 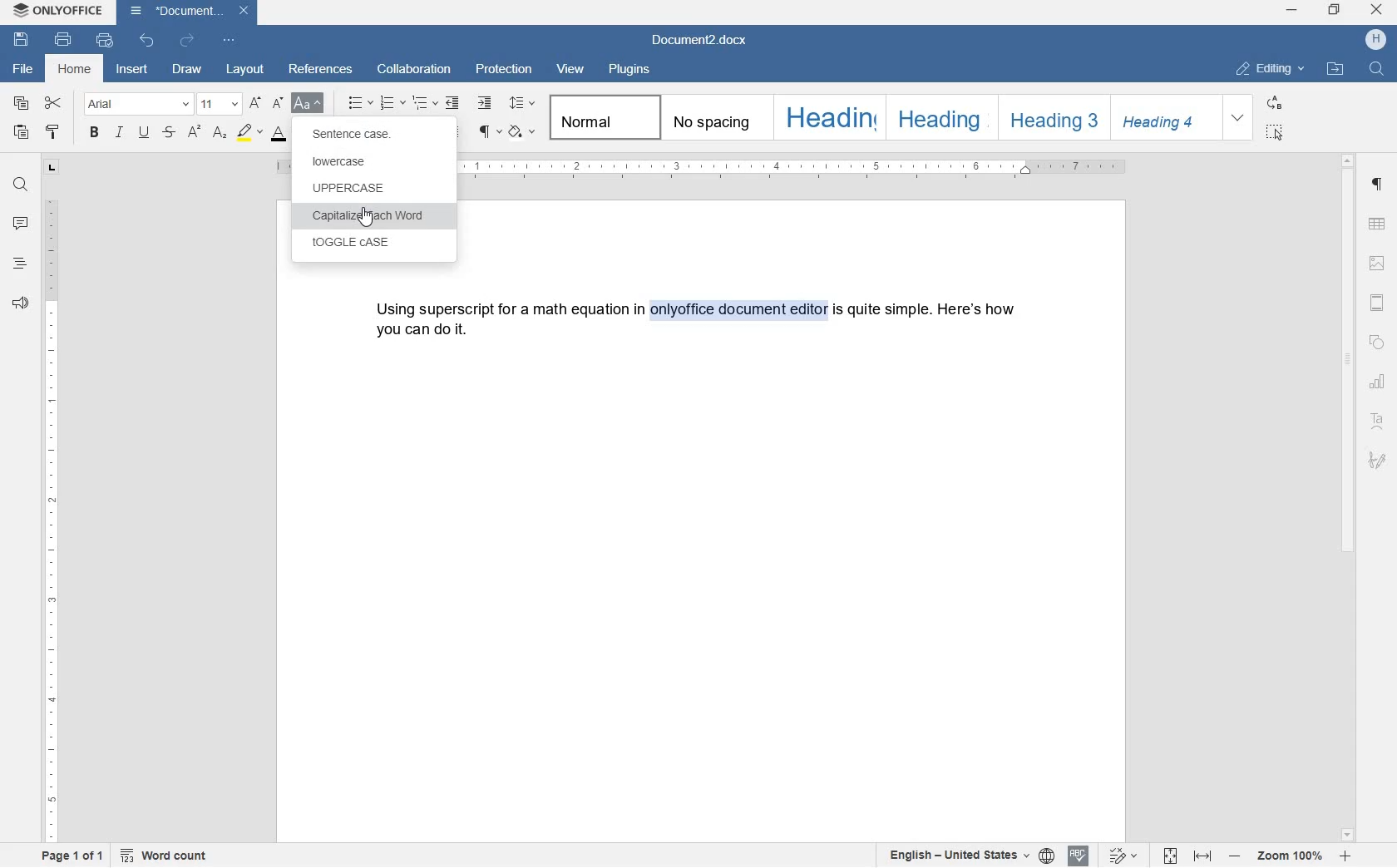 I want to click on Document2.docx, so click(x=700, y=40).